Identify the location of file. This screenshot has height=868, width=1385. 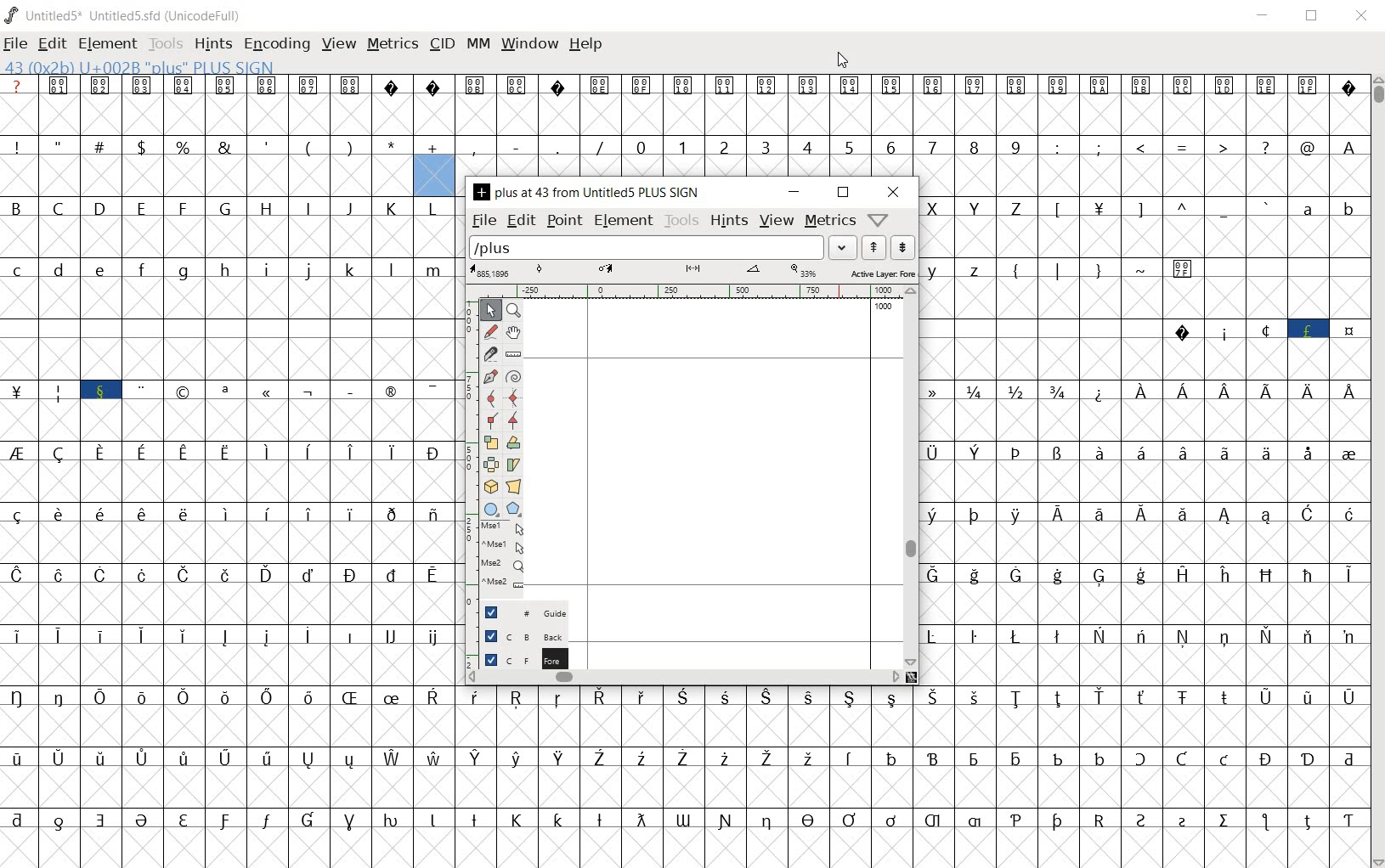
(483, 221).